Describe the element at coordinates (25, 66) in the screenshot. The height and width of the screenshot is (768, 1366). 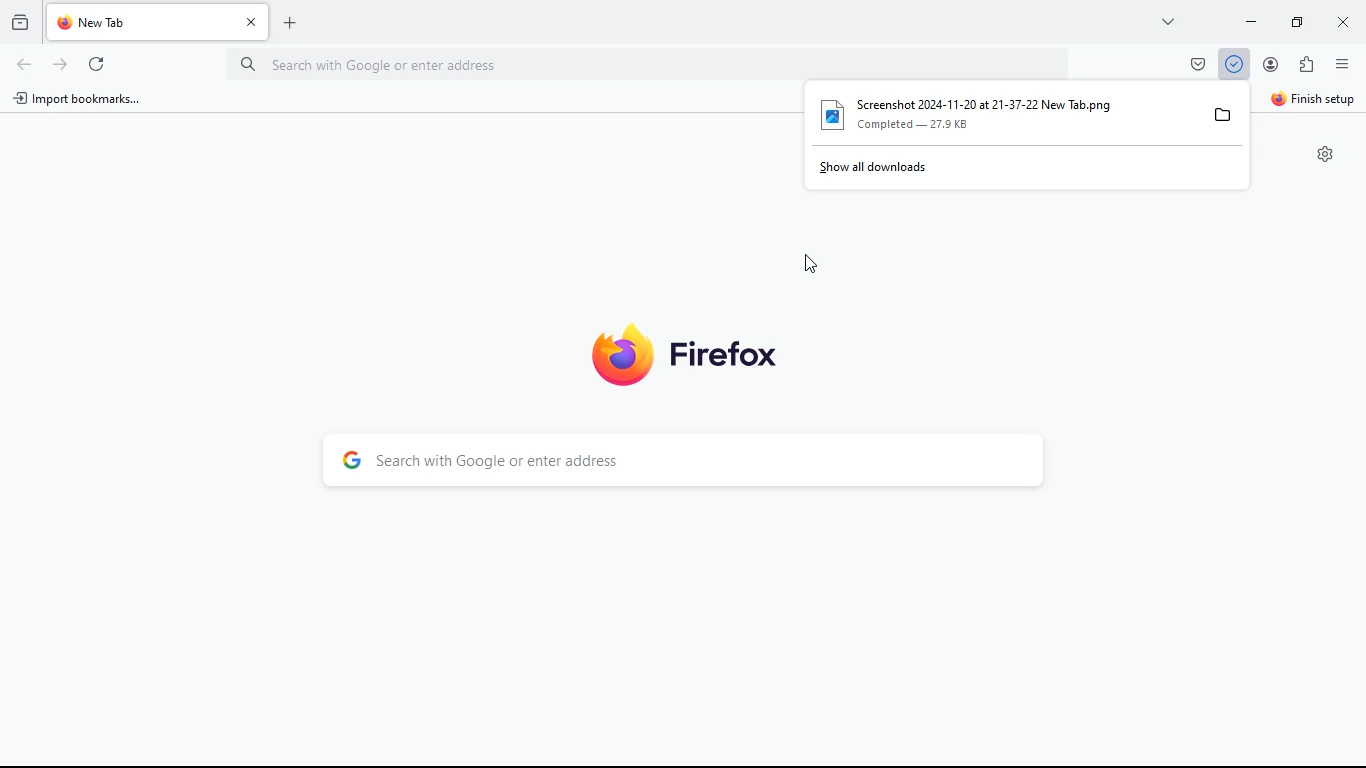
I see `back` at that location.